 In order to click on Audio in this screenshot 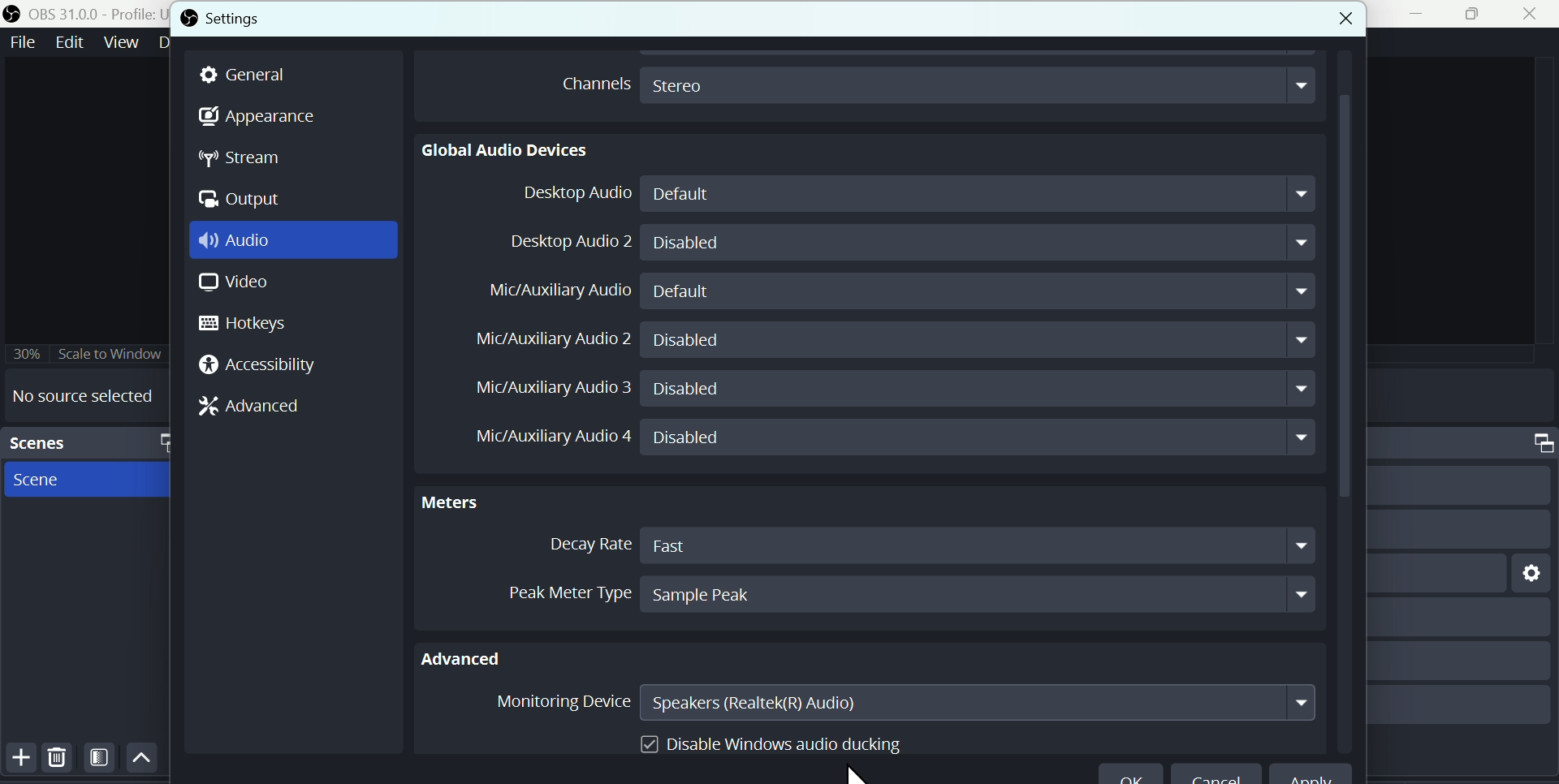, I will do `click(242, 242)`.